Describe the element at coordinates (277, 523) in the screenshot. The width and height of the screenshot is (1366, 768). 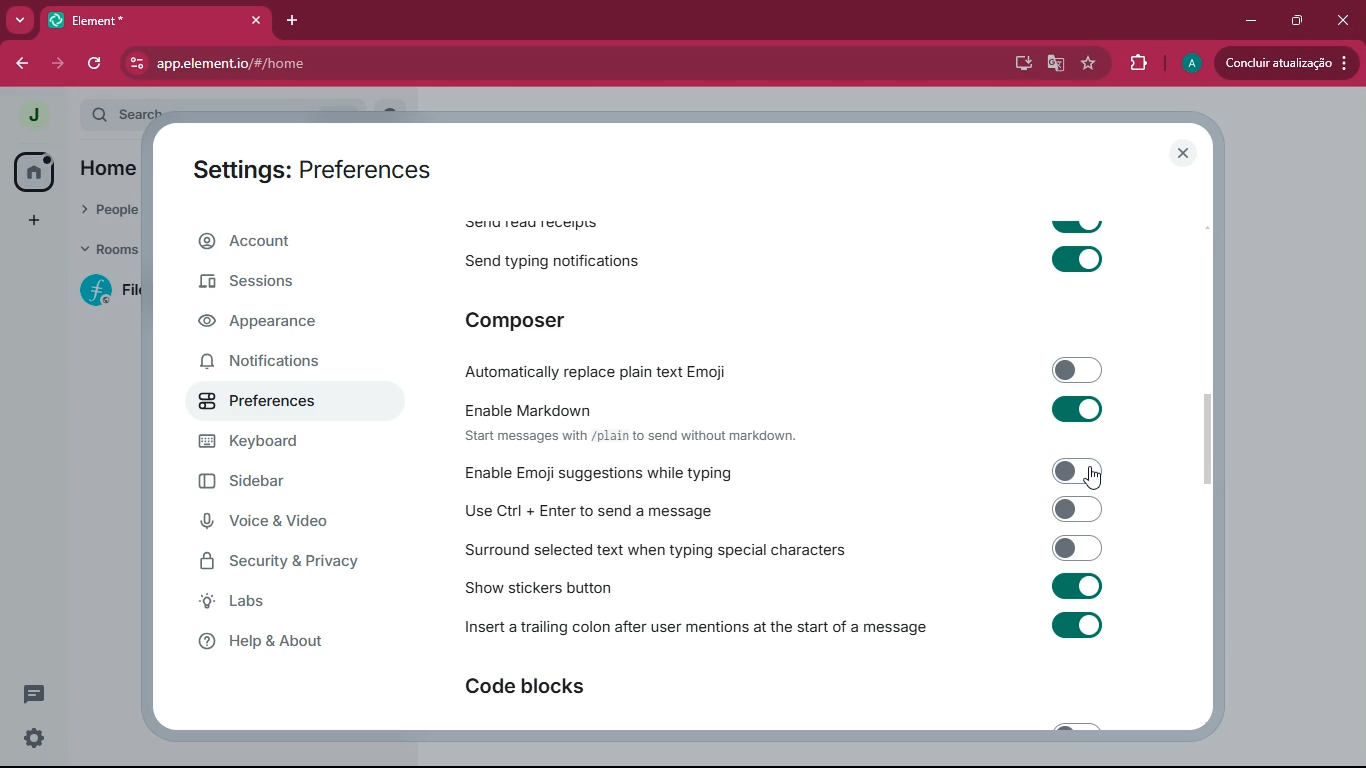
I see `voice` at that location.